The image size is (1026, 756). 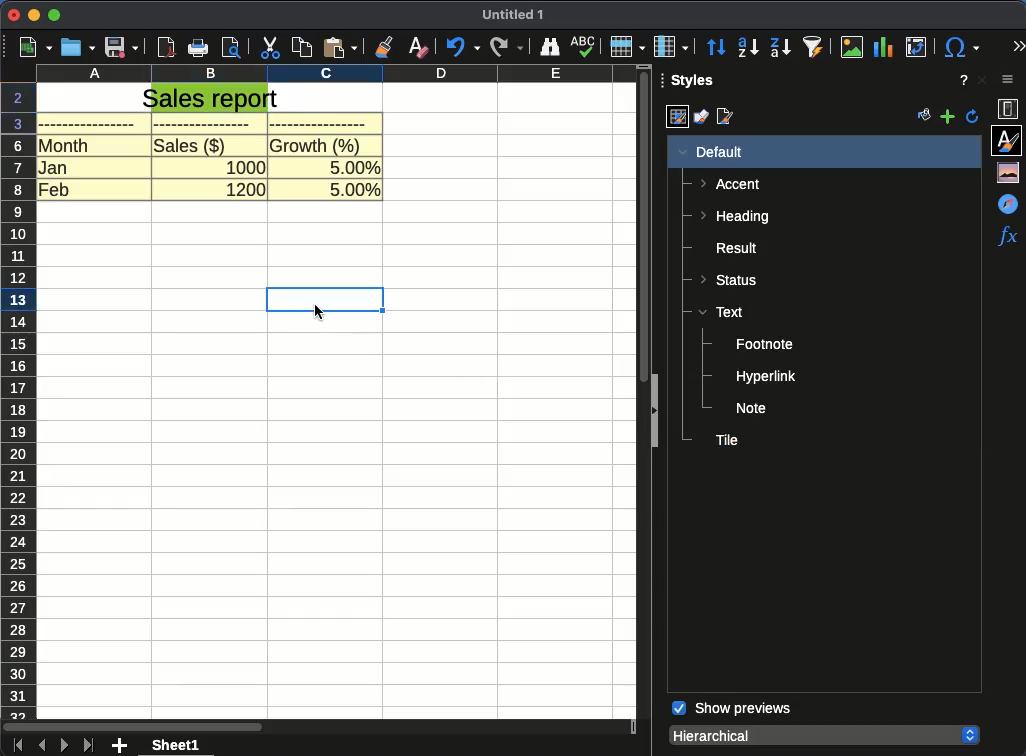 I want to click on hyperlink, so click(x=766, y=378).